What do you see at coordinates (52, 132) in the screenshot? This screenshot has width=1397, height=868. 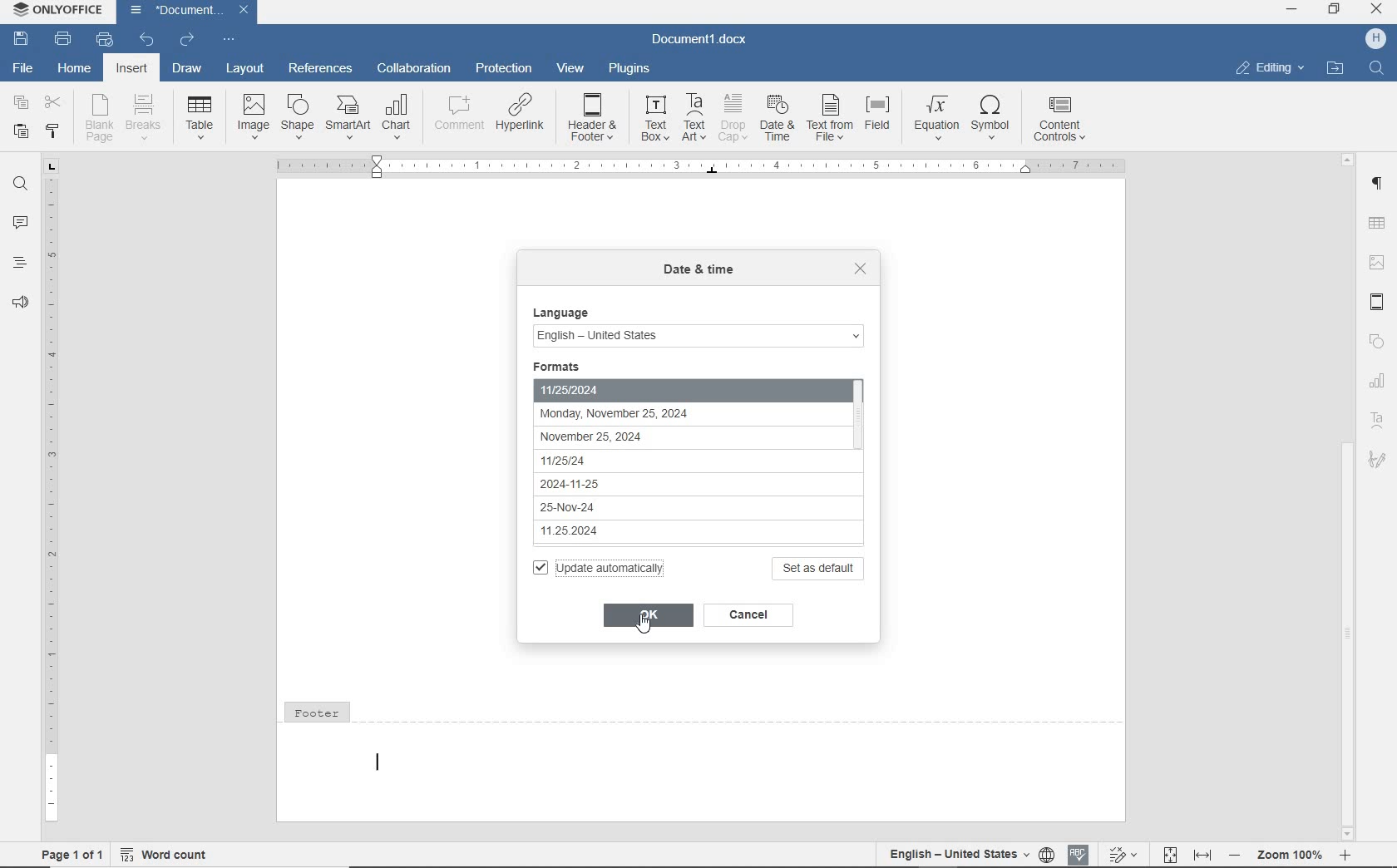 I see `COPY STYLE` at bounding box center [52, 132].